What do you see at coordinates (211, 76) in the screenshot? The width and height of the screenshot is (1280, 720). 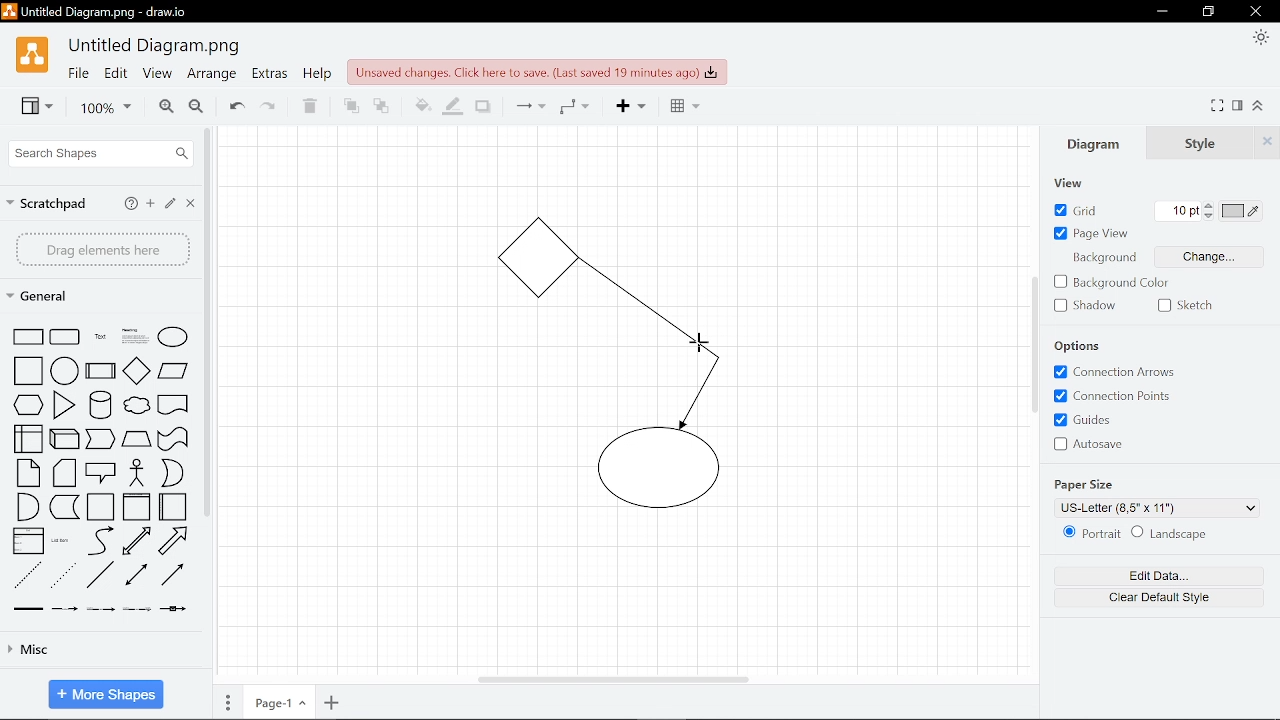 I see `Arrange` at bounding box center [211, 76].